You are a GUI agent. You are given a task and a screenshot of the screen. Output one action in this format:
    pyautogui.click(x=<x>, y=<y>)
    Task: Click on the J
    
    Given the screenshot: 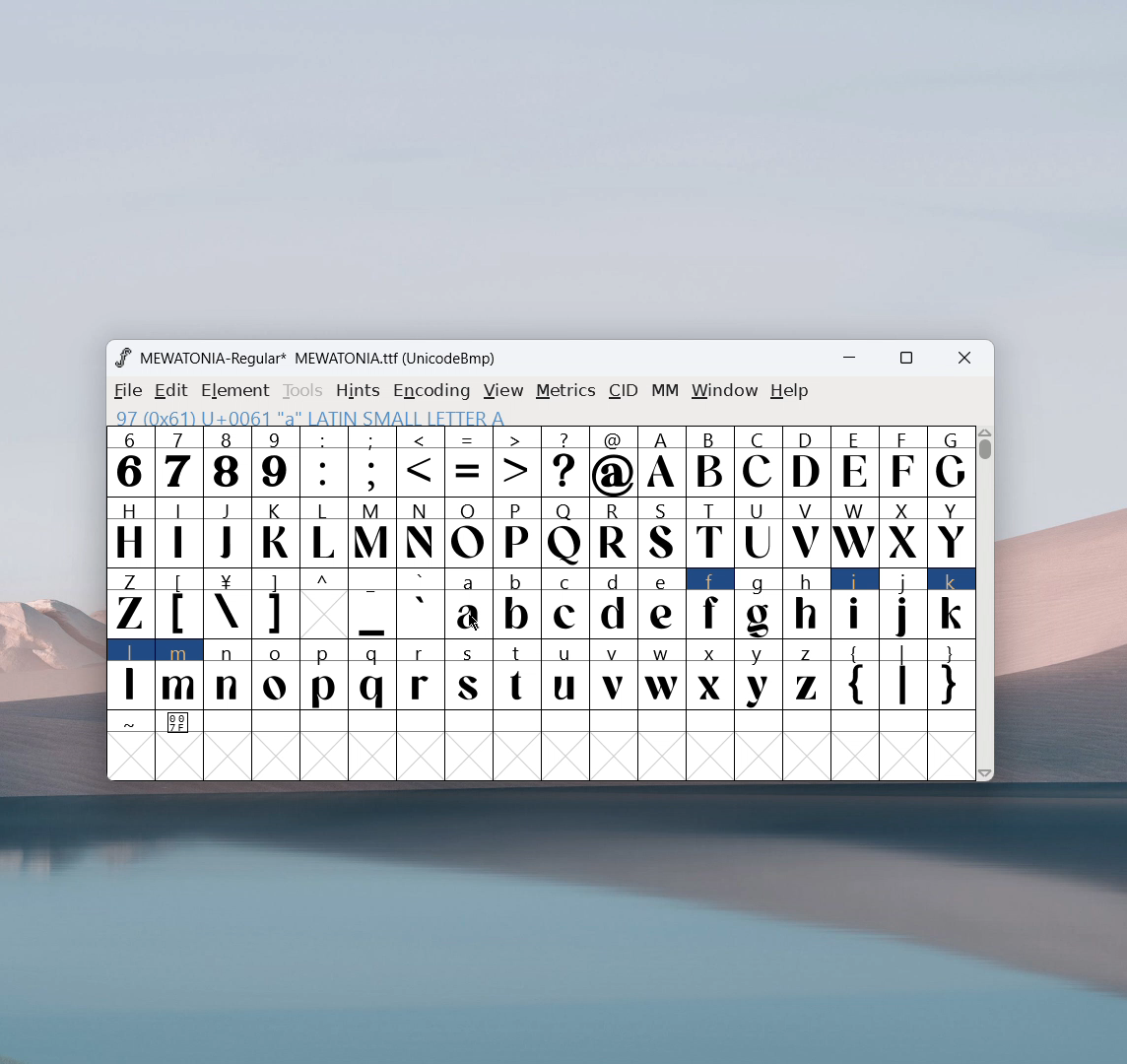 What is the action you would take?
    pyautogui.click(x=228, y=530)
    